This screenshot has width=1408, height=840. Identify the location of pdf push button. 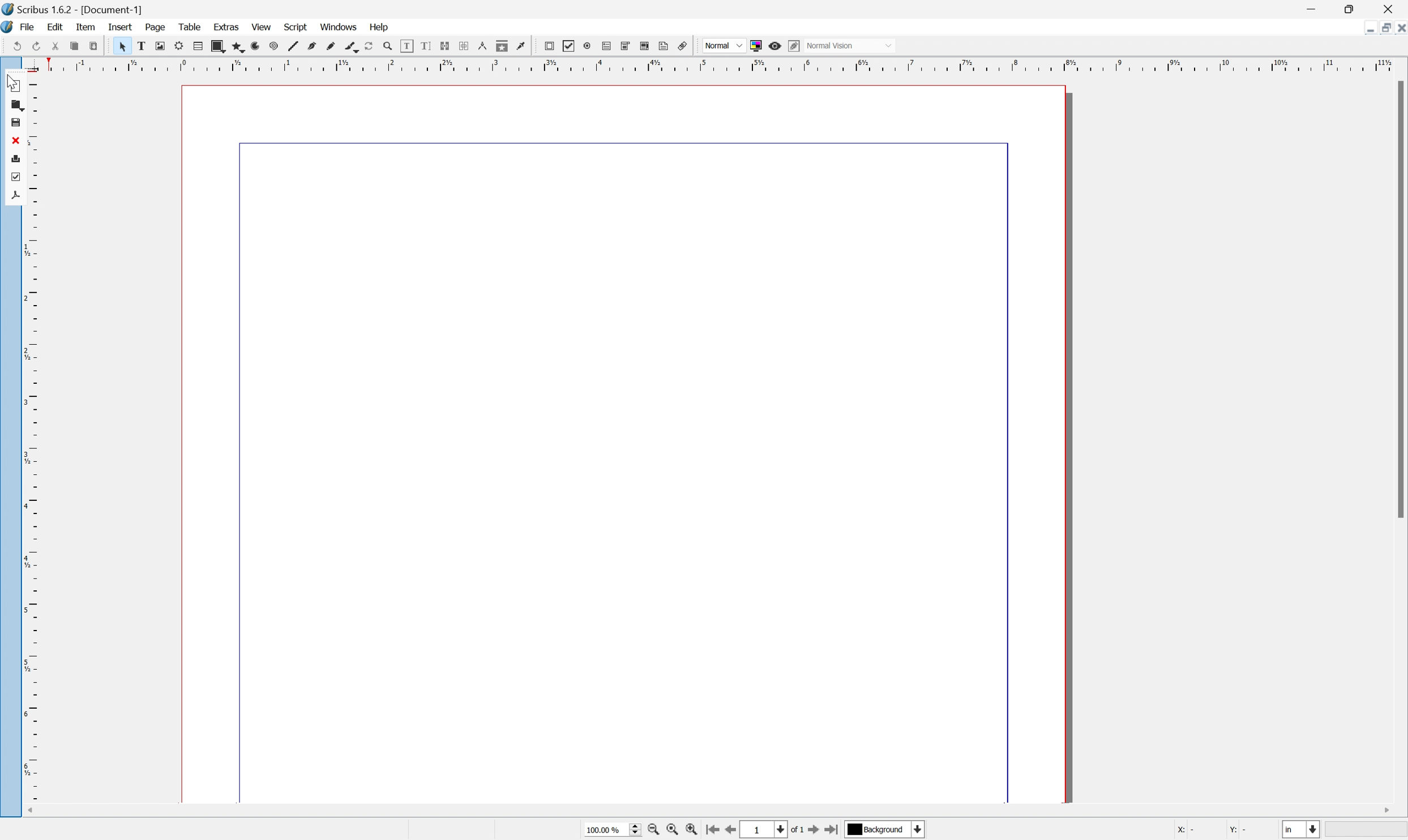
(682, 45).